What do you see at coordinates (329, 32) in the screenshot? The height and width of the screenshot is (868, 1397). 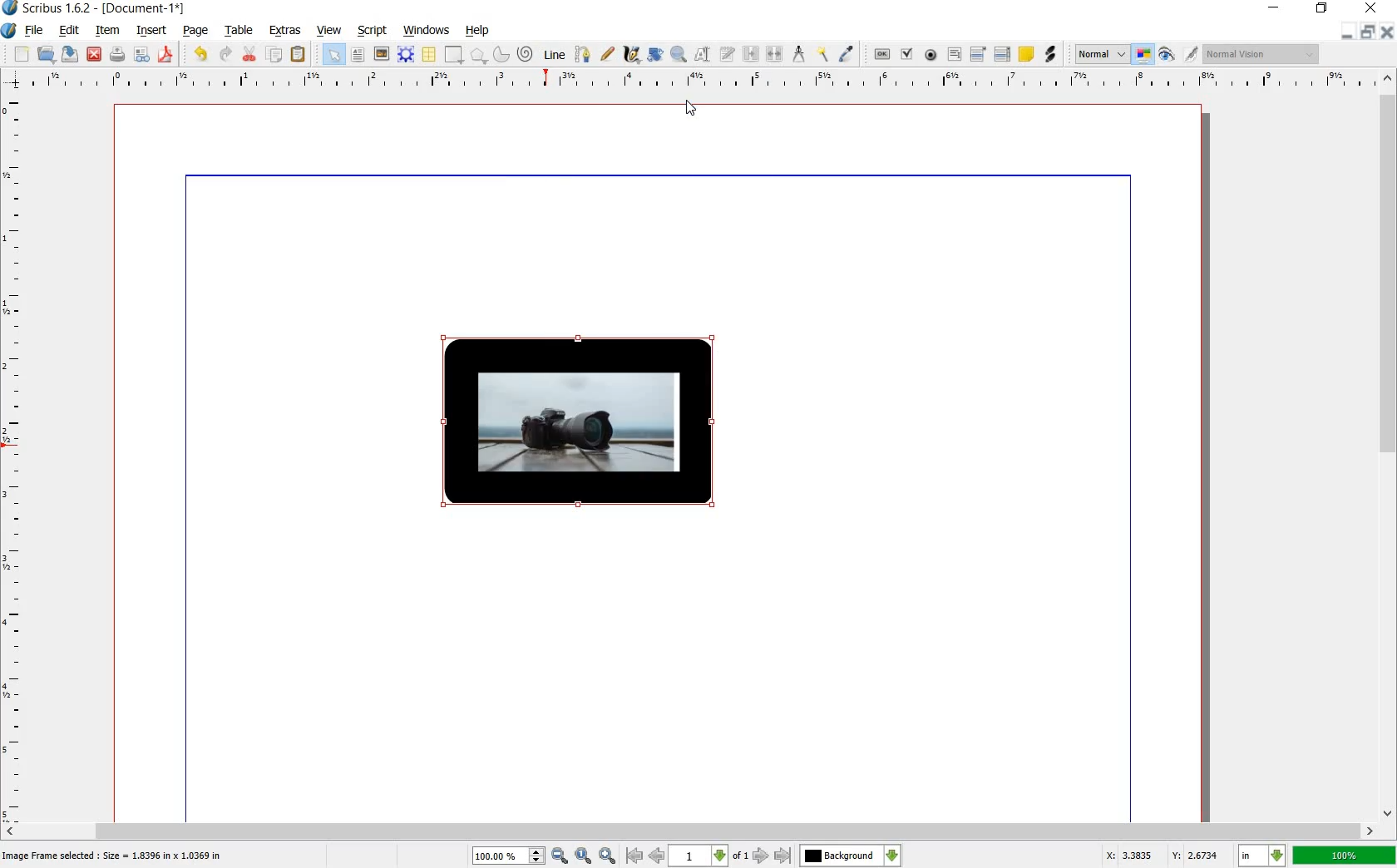 I see `view` at bounding box center [329, 32].